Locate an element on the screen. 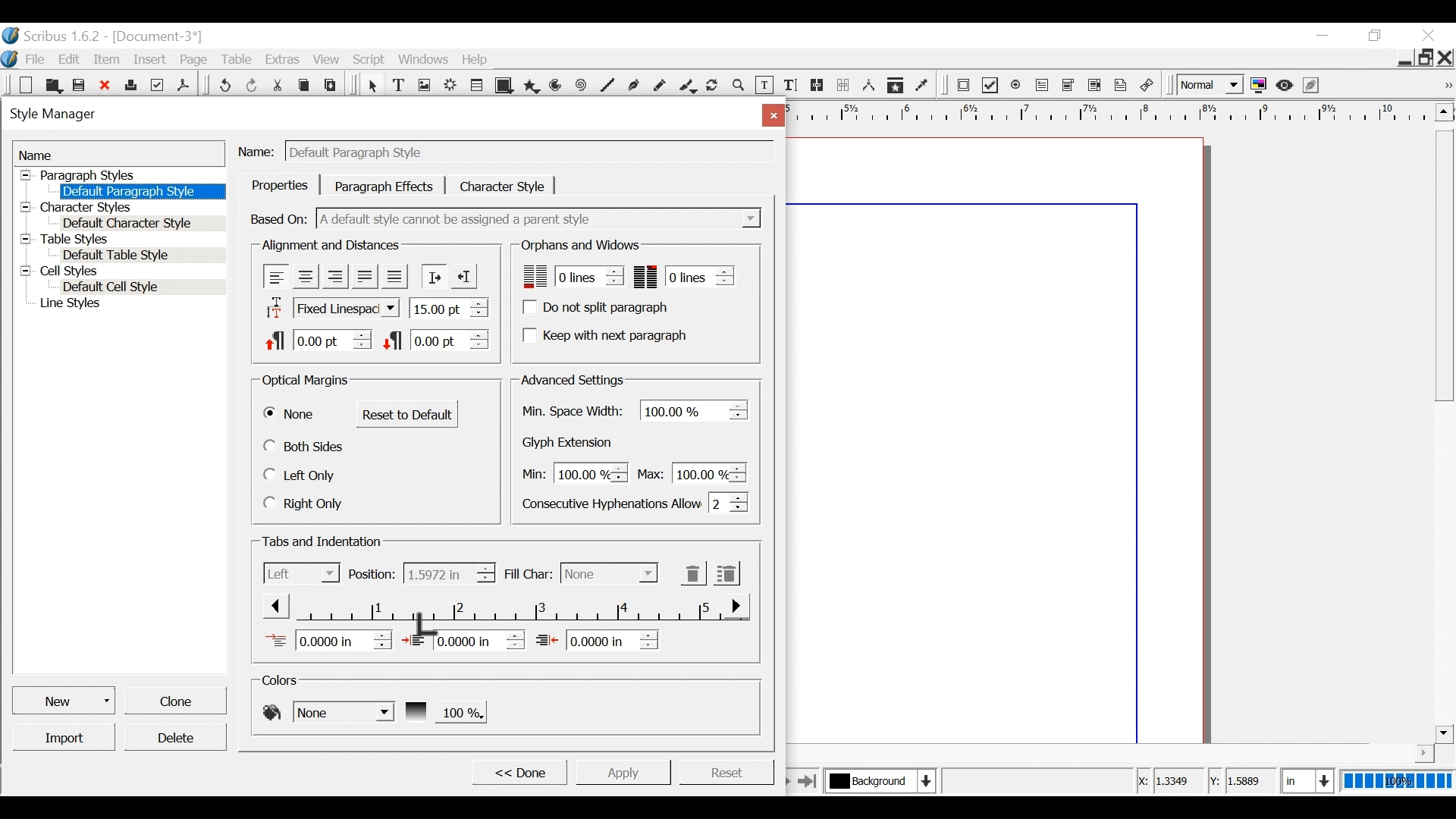 This screenshot has height=819, width=1456. PDF List Box is located at coordinates (1095, 85).